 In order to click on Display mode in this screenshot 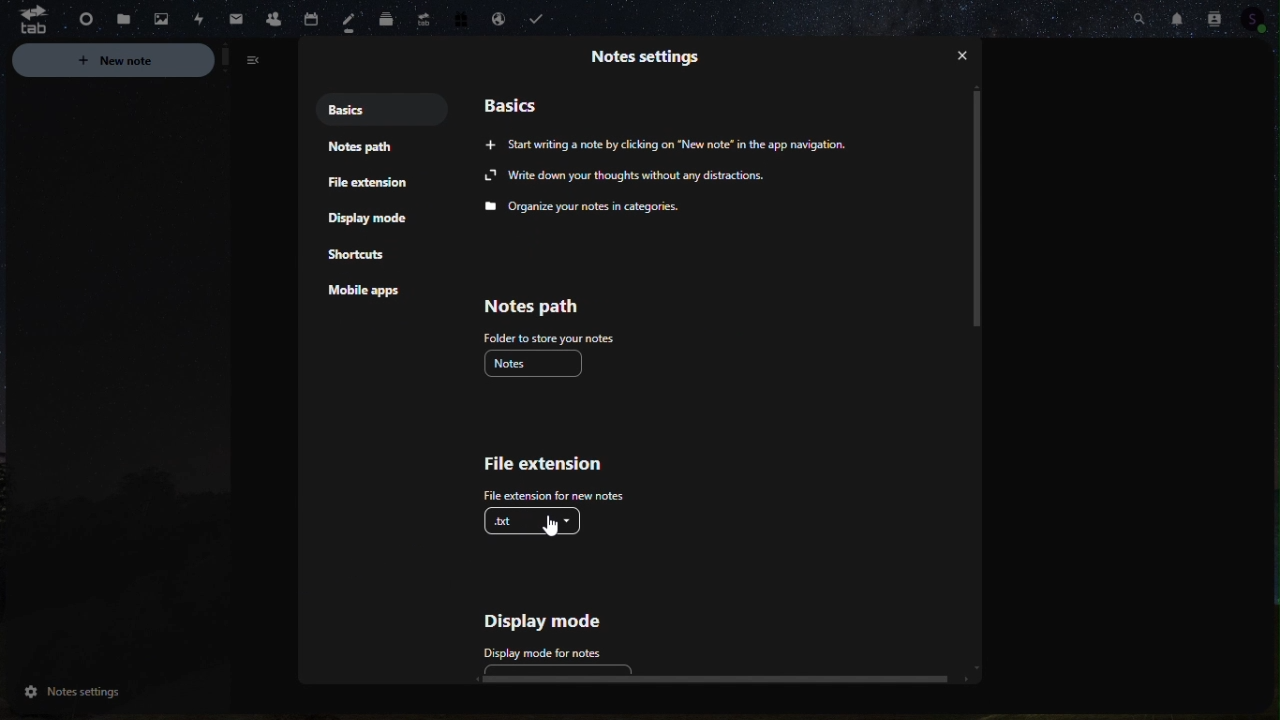, I will do `click(377, 221)`.